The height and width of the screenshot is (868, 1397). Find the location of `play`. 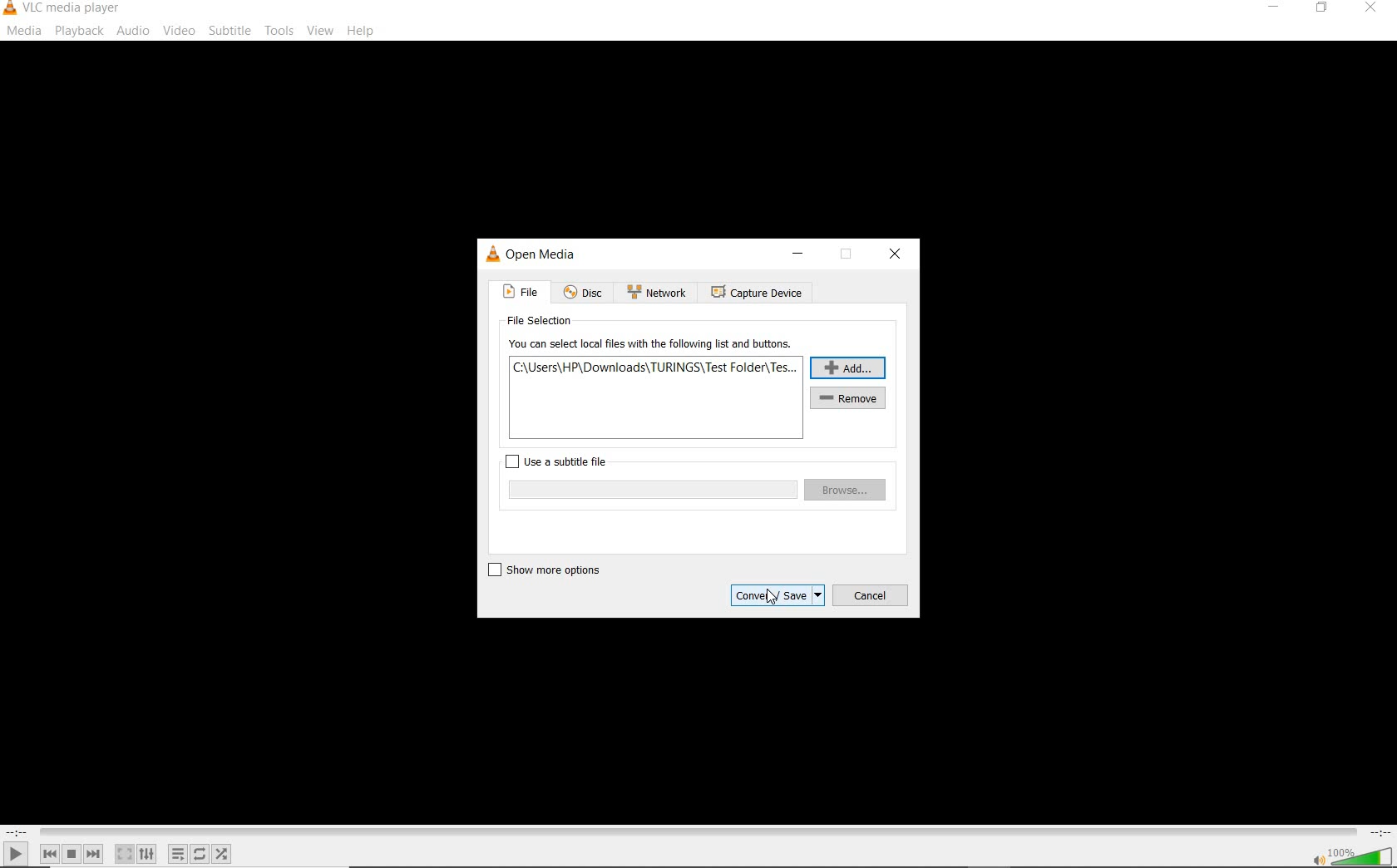

play is located at coordinates (16, 853).